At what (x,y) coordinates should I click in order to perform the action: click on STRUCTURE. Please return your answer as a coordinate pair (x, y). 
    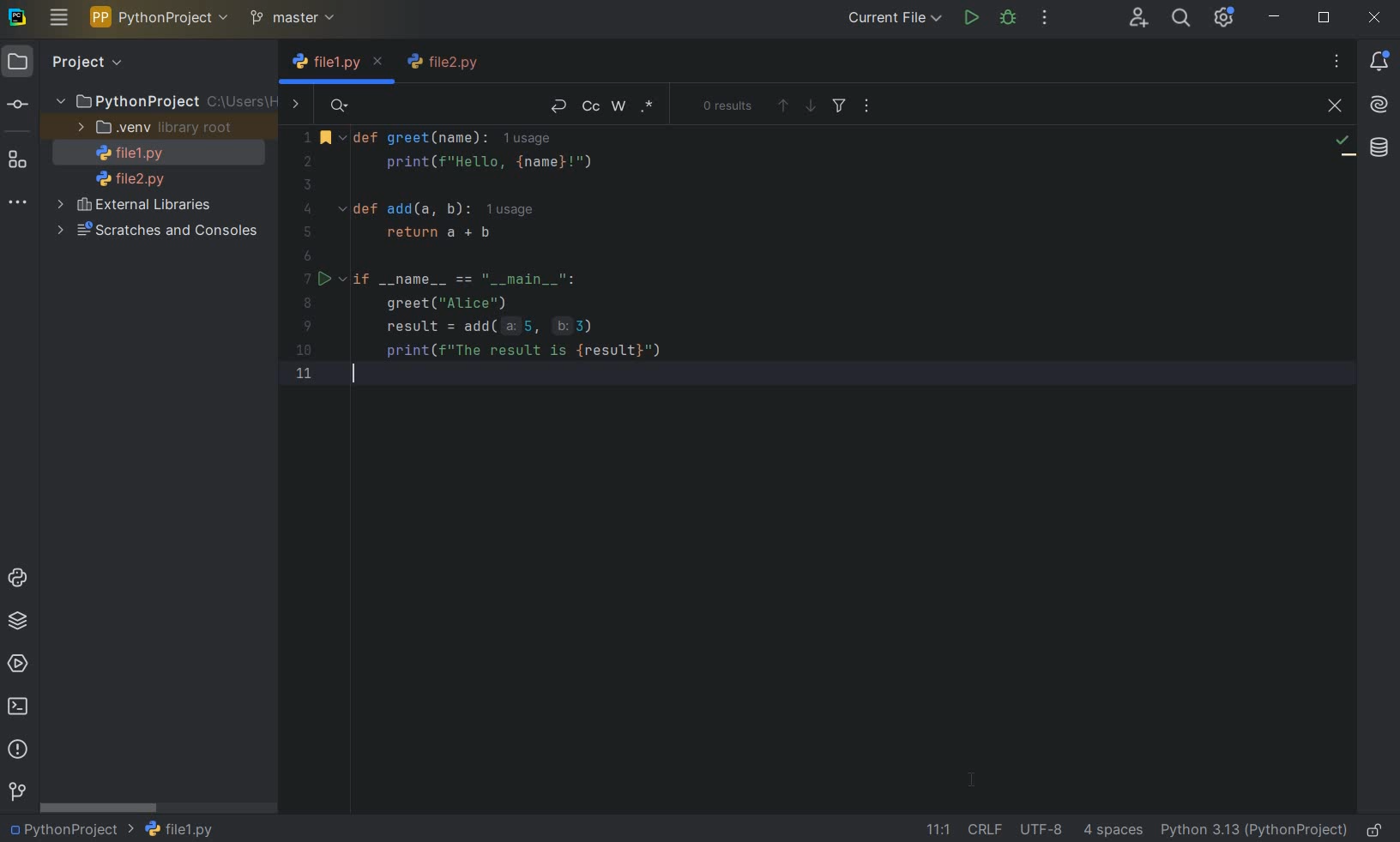
    Looking at the image, I should click on (19, 161).